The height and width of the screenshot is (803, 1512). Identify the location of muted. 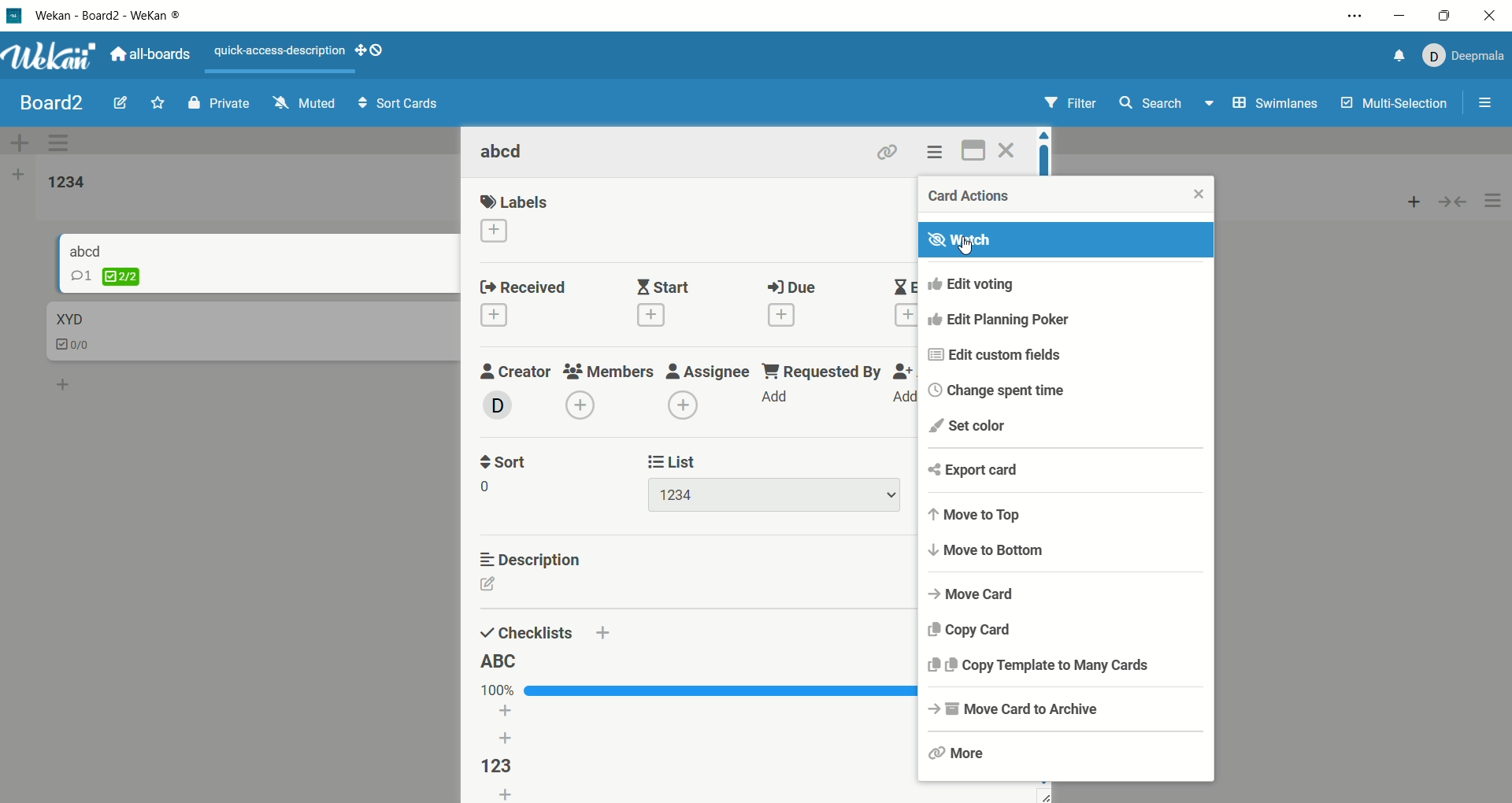
(297, 104).